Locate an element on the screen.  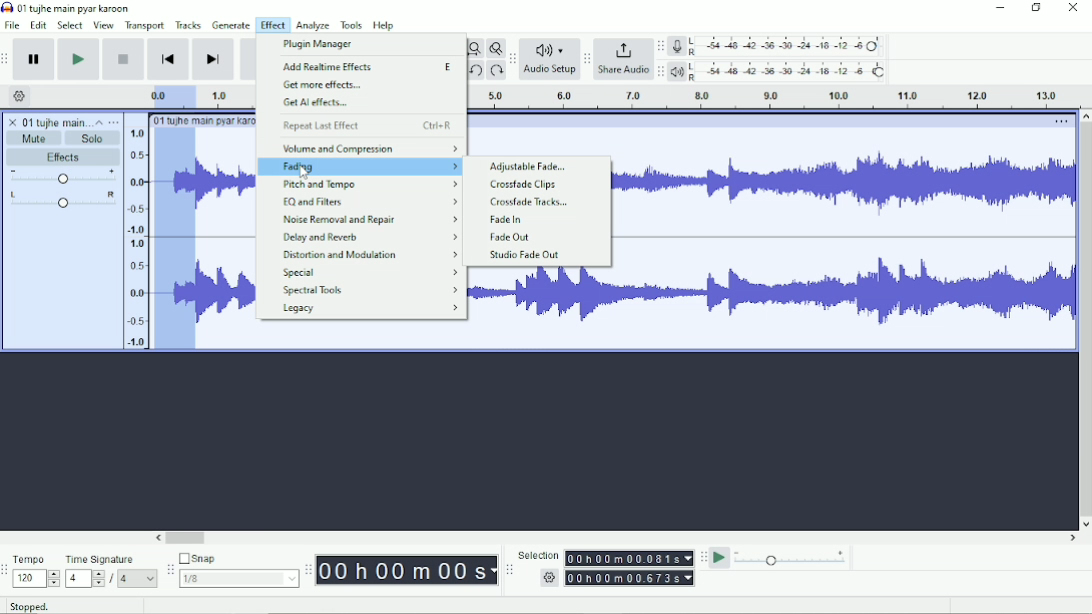
Edit is located at coordinates (39, 25).